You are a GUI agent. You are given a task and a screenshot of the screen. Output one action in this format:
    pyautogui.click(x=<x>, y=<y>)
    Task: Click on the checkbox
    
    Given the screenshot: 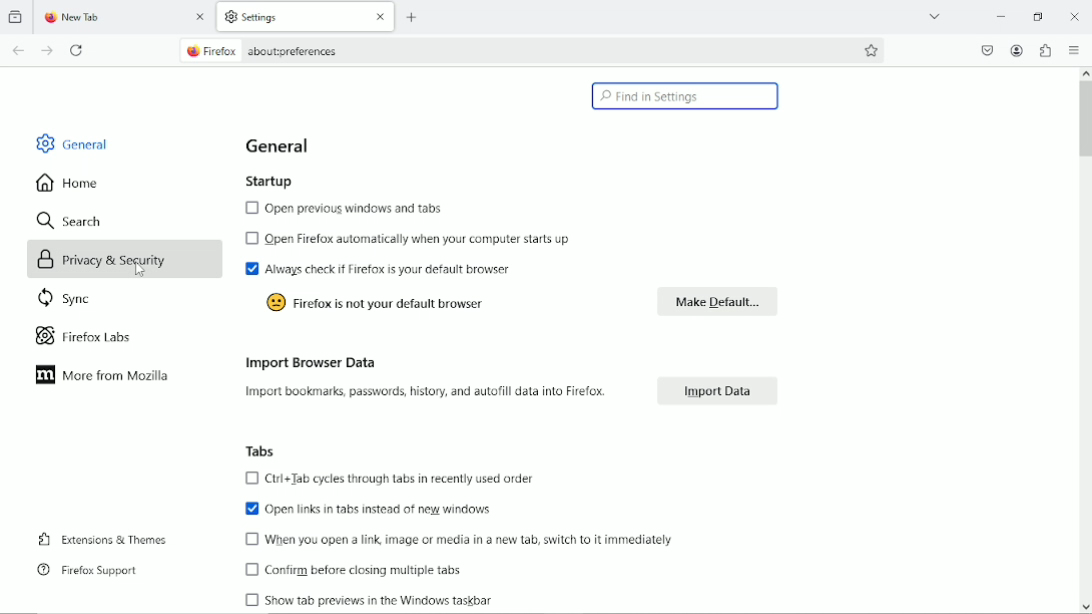 What is the action you would take?
    pyautogui.click(x=252, y=208)
    